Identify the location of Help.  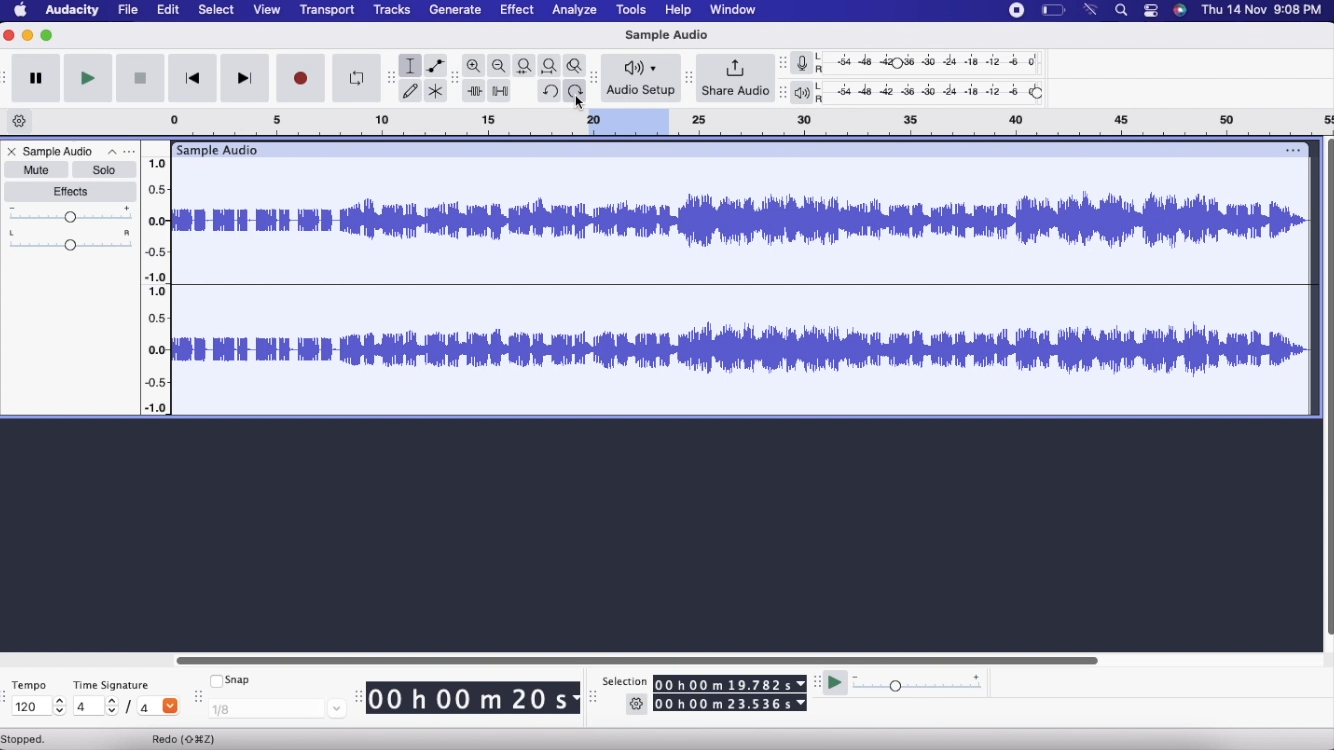
(681, 10).